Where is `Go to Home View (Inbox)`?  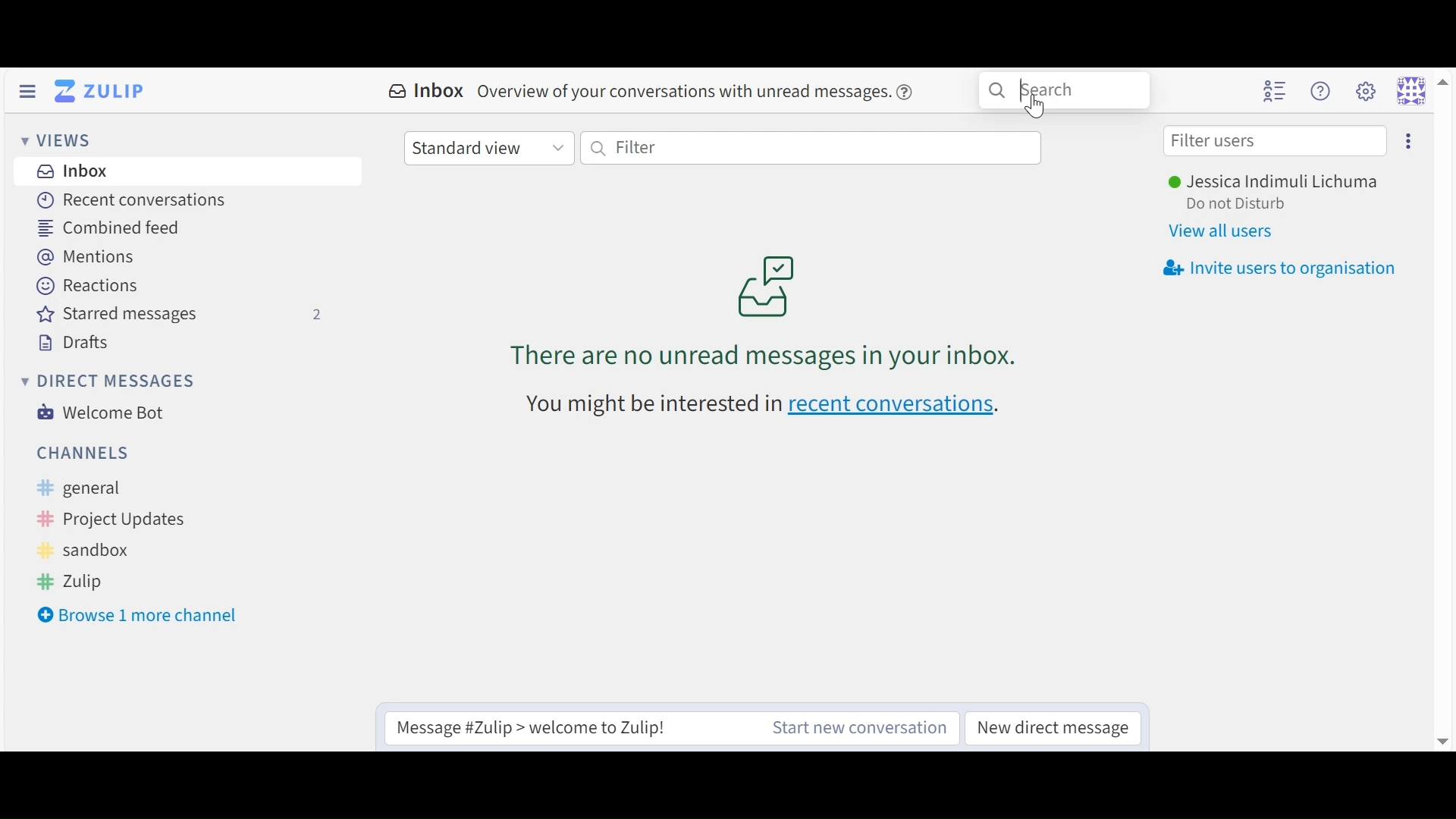
Go to Home View (Inbox) is located at coordinates (102, 89).